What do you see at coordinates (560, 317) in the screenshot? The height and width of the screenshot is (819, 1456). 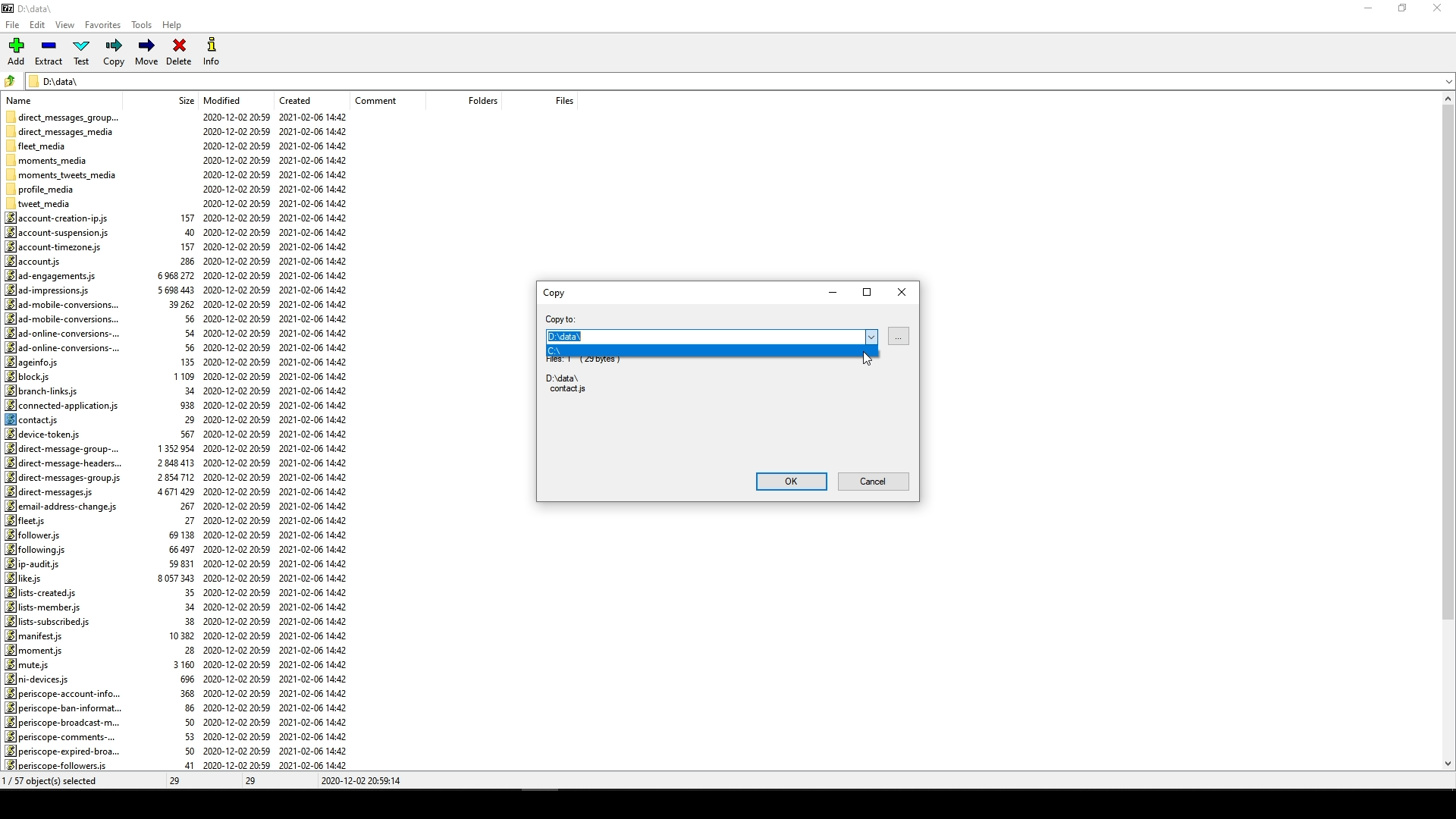 I see `copy to` at bounding box center [560, 317].